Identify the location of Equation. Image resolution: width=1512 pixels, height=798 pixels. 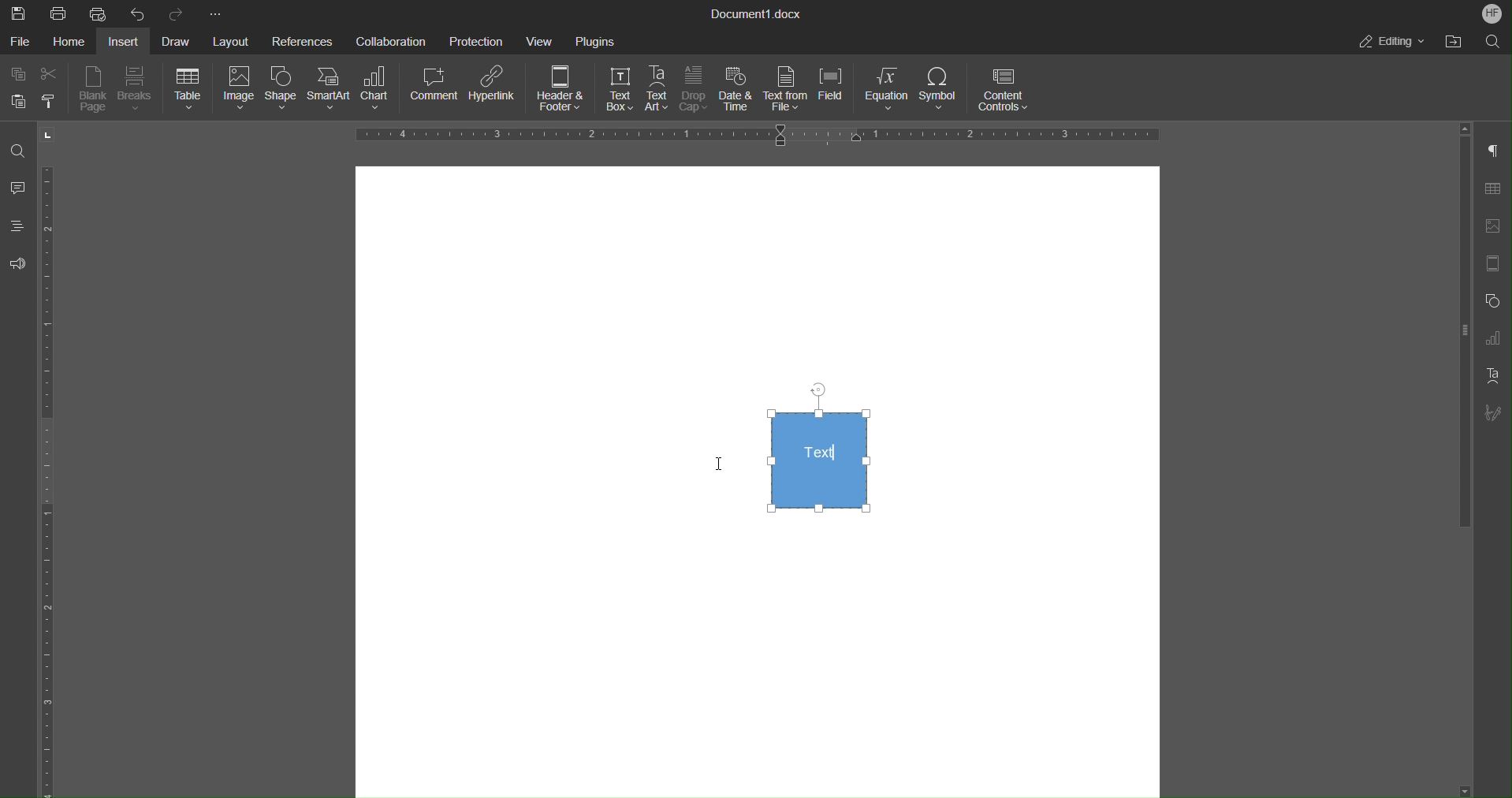
(888, 91).